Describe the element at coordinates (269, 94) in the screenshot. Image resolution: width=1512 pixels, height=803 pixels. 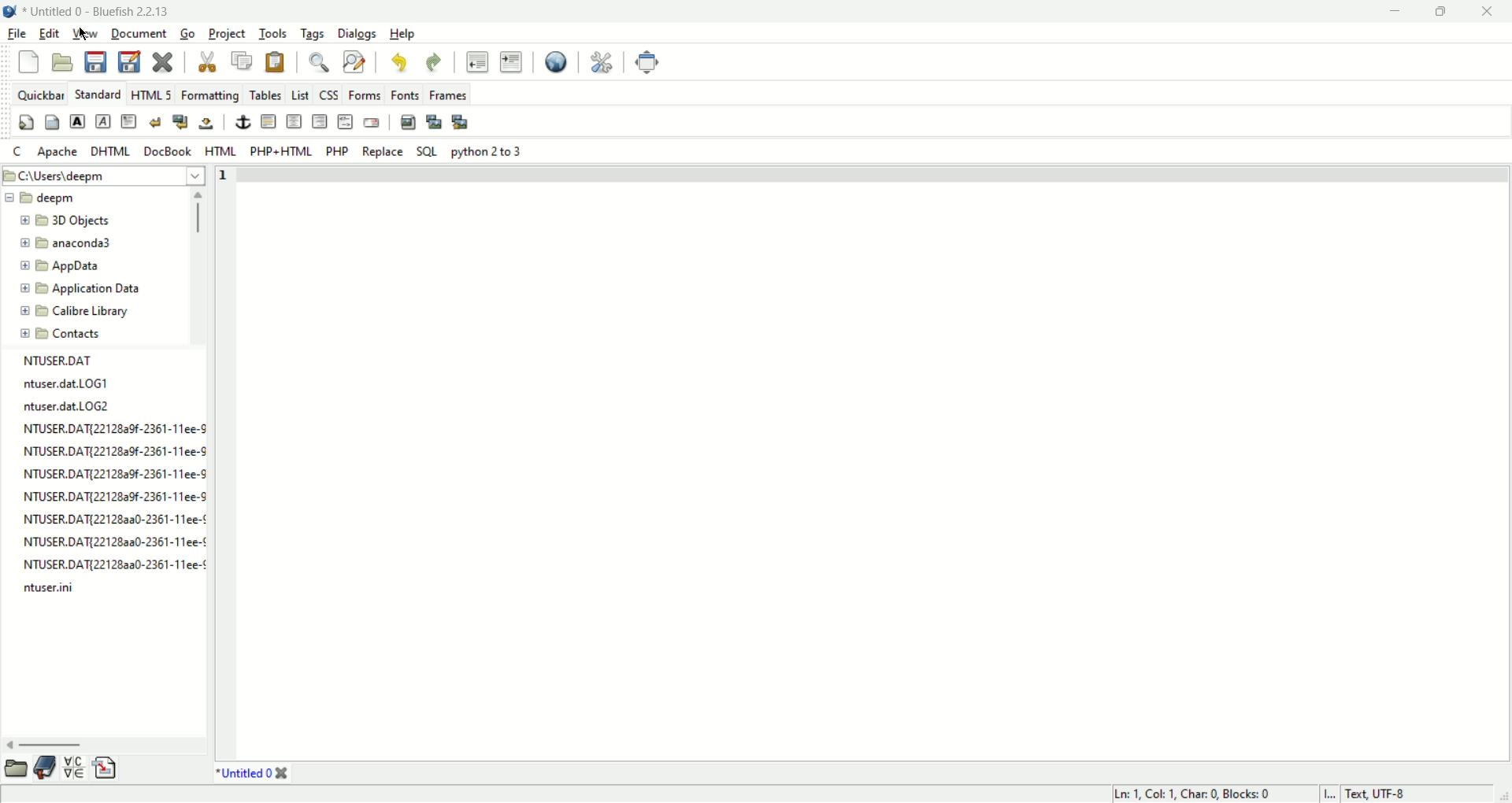
I see `tables` at that location.